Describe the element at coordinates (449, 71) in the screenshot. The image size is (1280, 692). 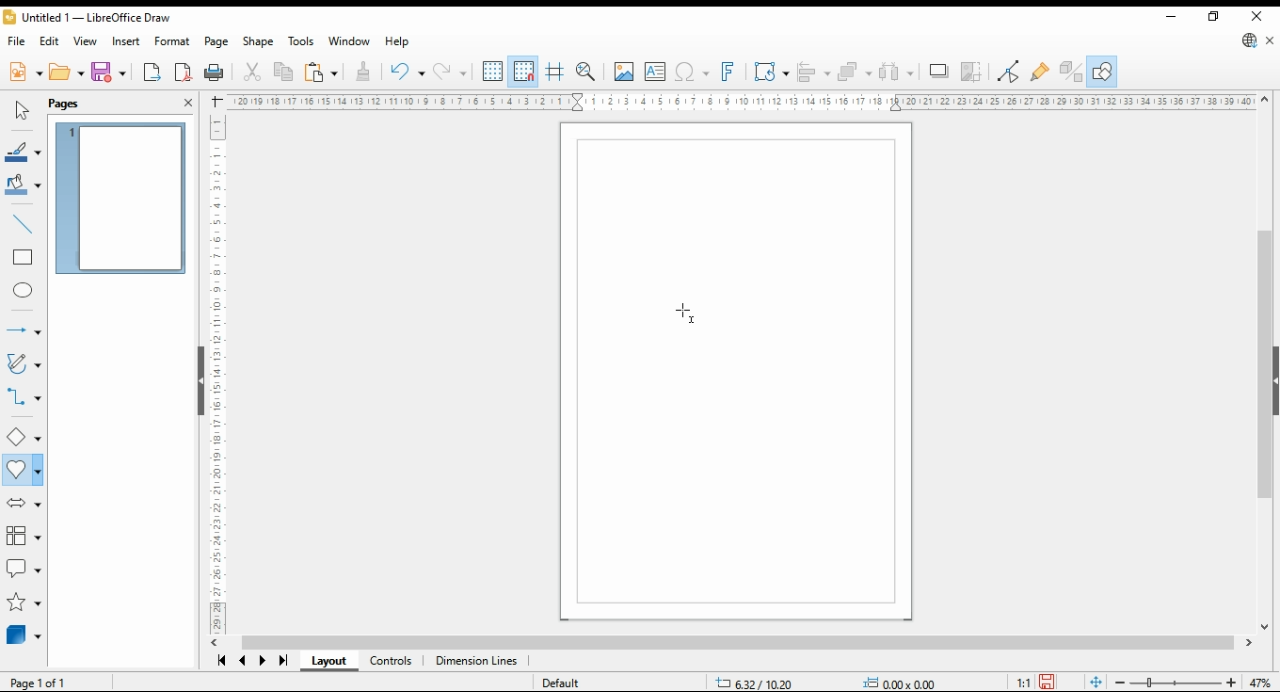
I see `redo` at that location.